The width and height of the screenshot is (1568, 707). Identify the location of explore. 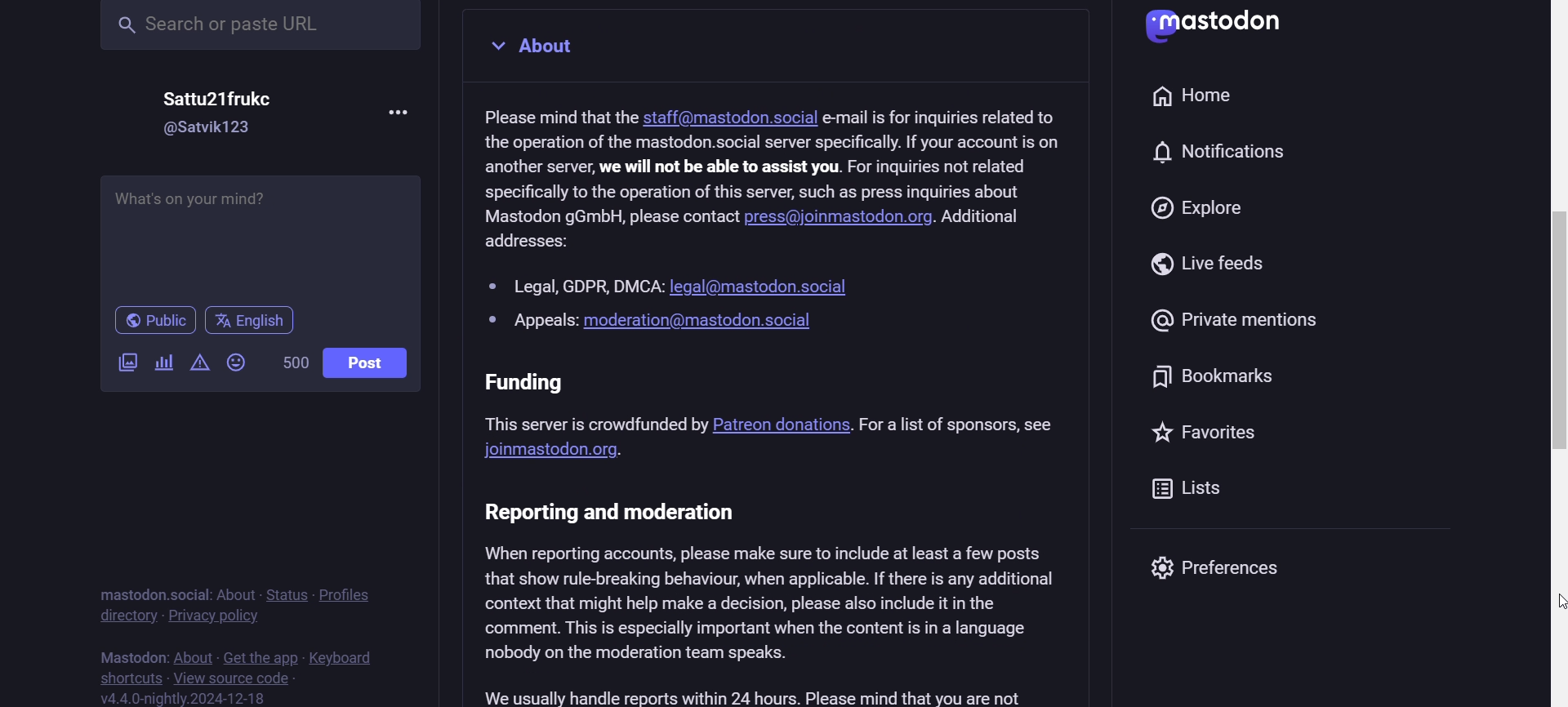
(1201, 208).